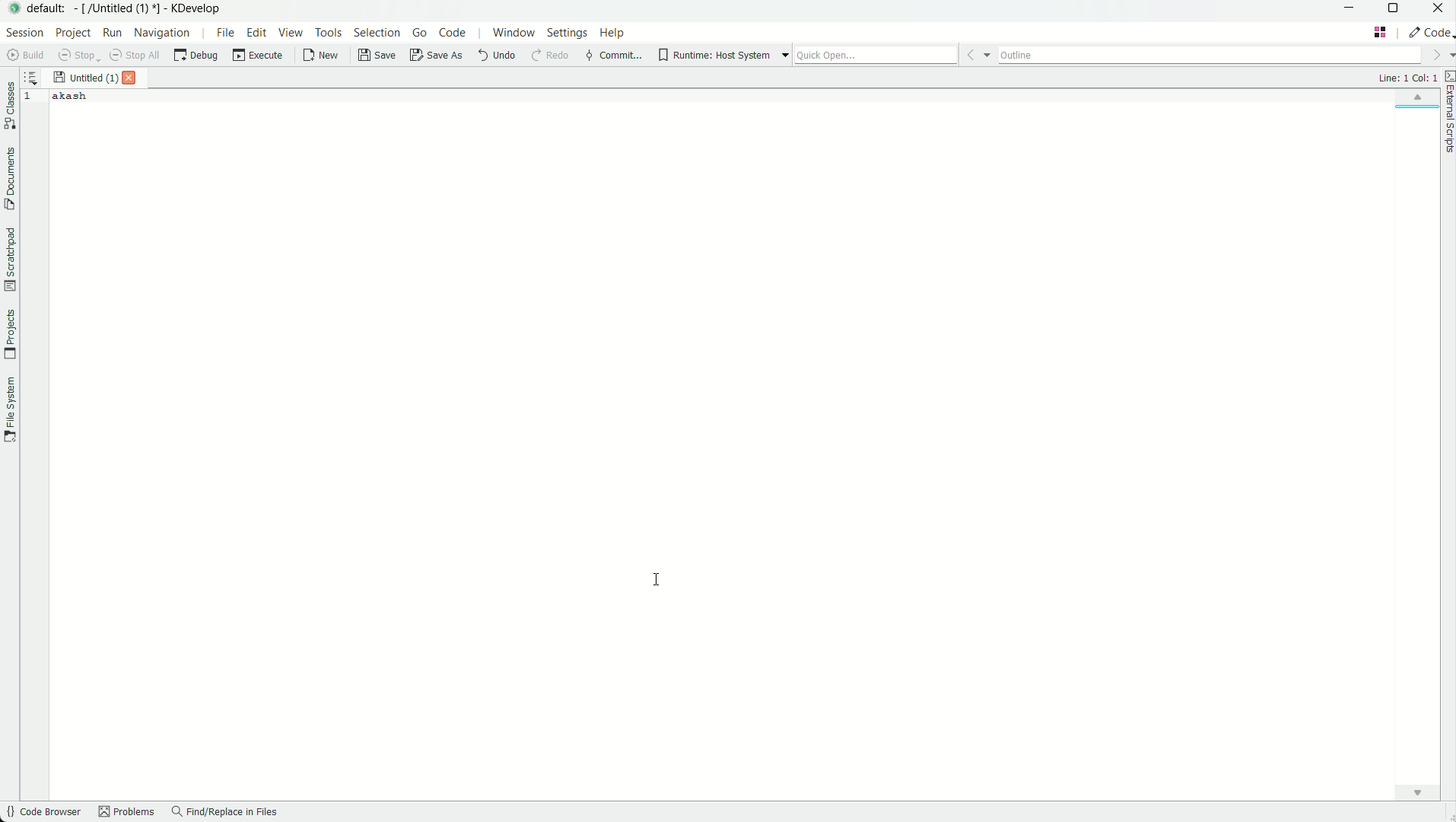 This screenshot has height=822, width=1456. Describe the element at coordinates (257, 32) in the screenshot. I see `edit menu` at that location.